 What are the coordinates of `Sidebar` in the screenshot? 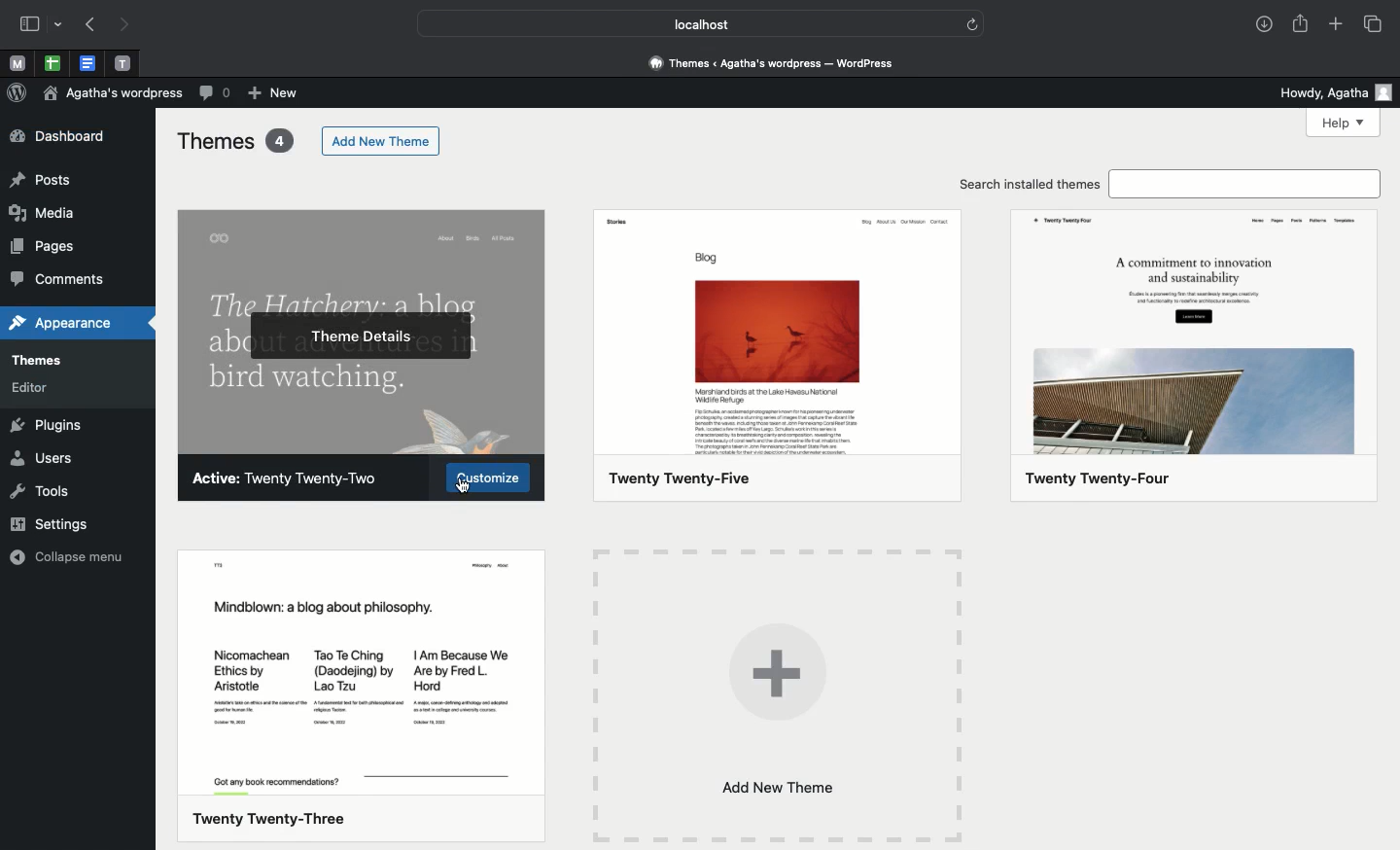 It's located at (29, 24).